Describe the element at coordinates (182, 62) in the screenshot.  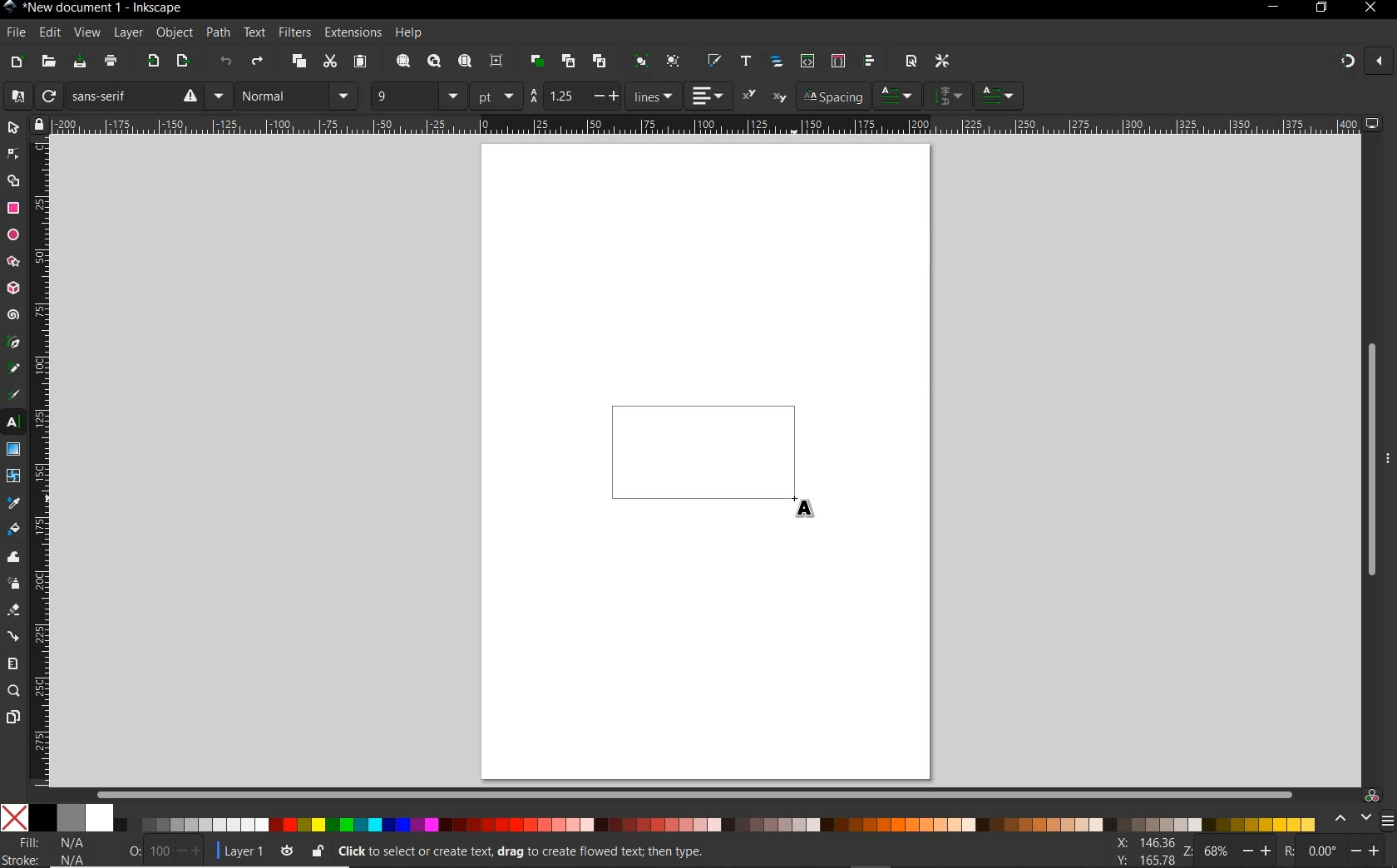
I see `open export` at that location.